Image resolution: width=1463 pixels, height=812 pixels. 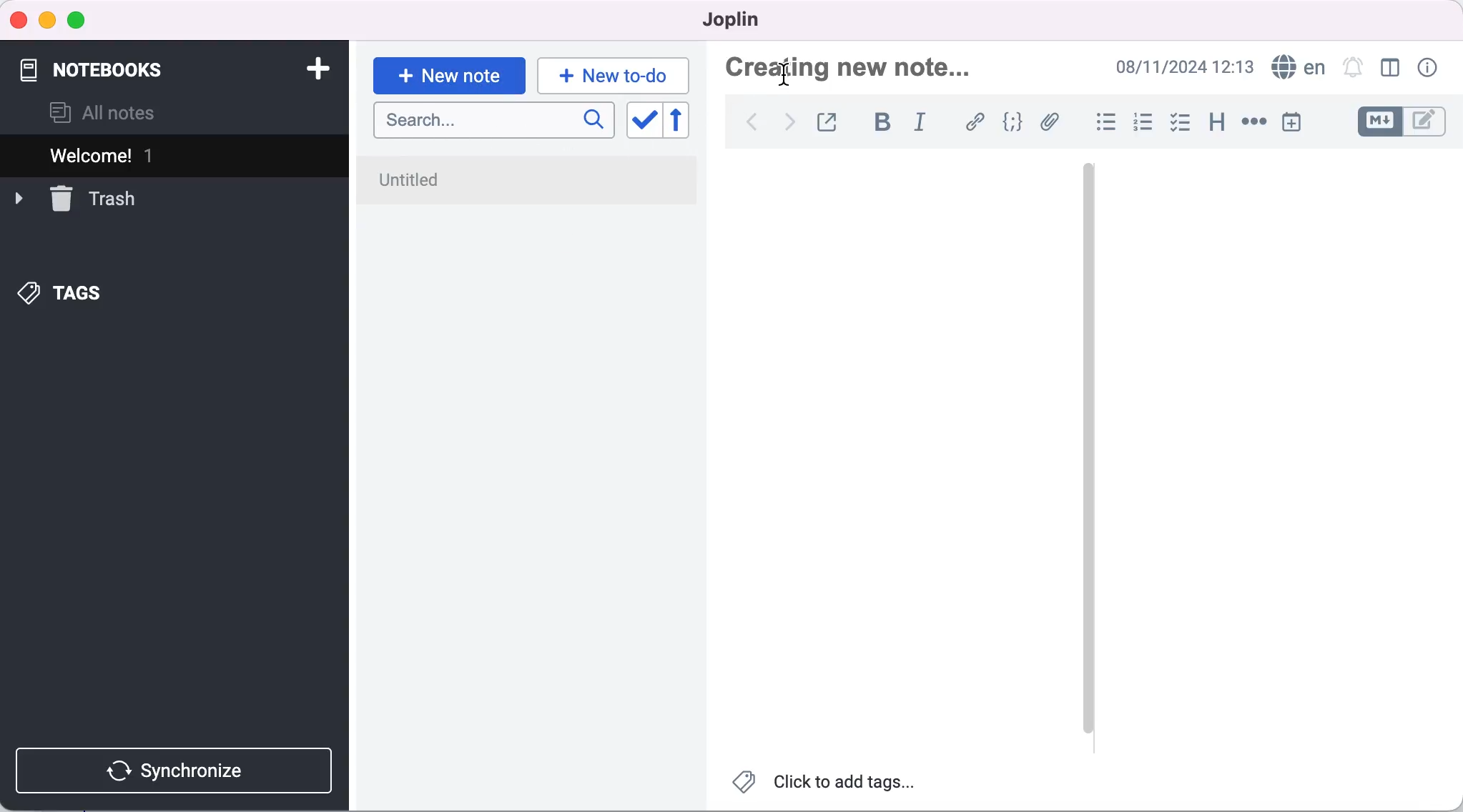 I want to click on all notes, so click(x=103, y=113).